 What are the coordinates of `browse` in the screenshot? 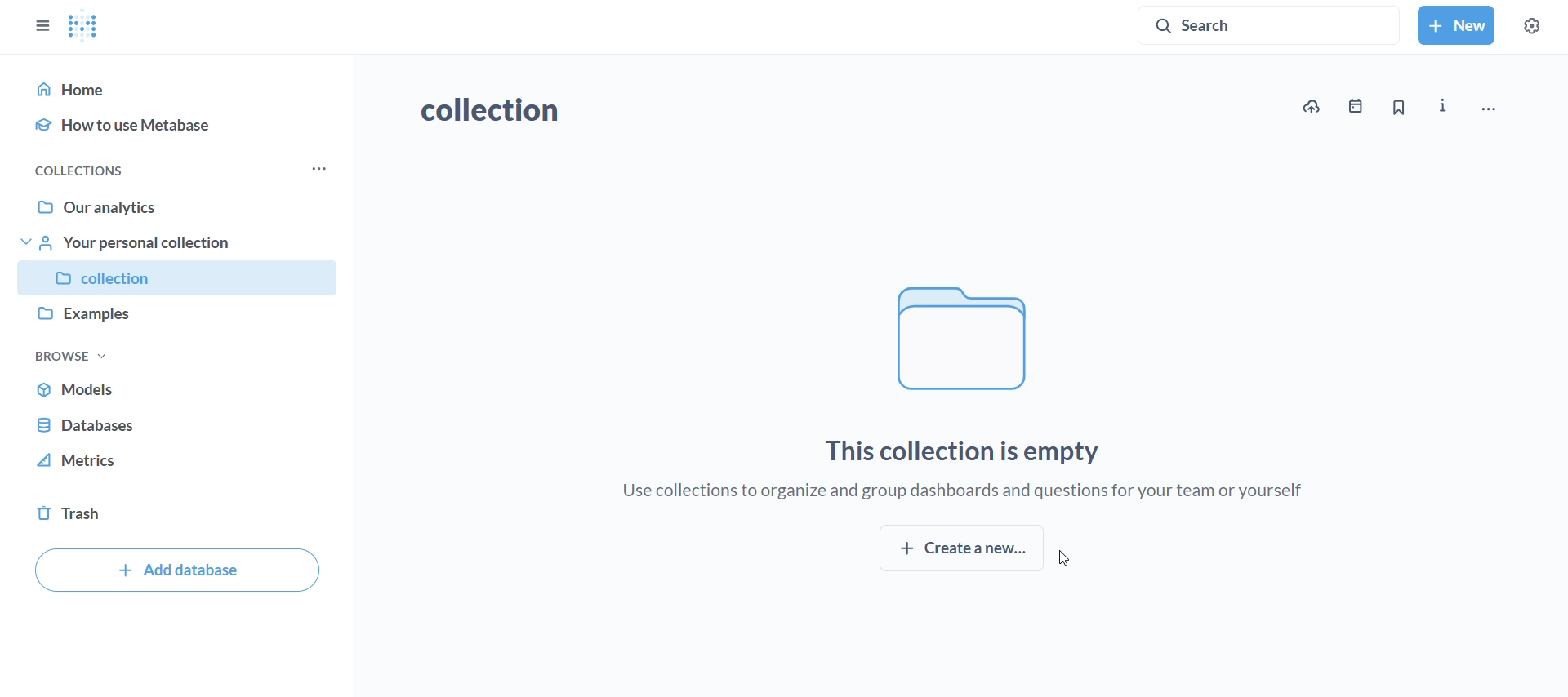 It's located at (75, 357).